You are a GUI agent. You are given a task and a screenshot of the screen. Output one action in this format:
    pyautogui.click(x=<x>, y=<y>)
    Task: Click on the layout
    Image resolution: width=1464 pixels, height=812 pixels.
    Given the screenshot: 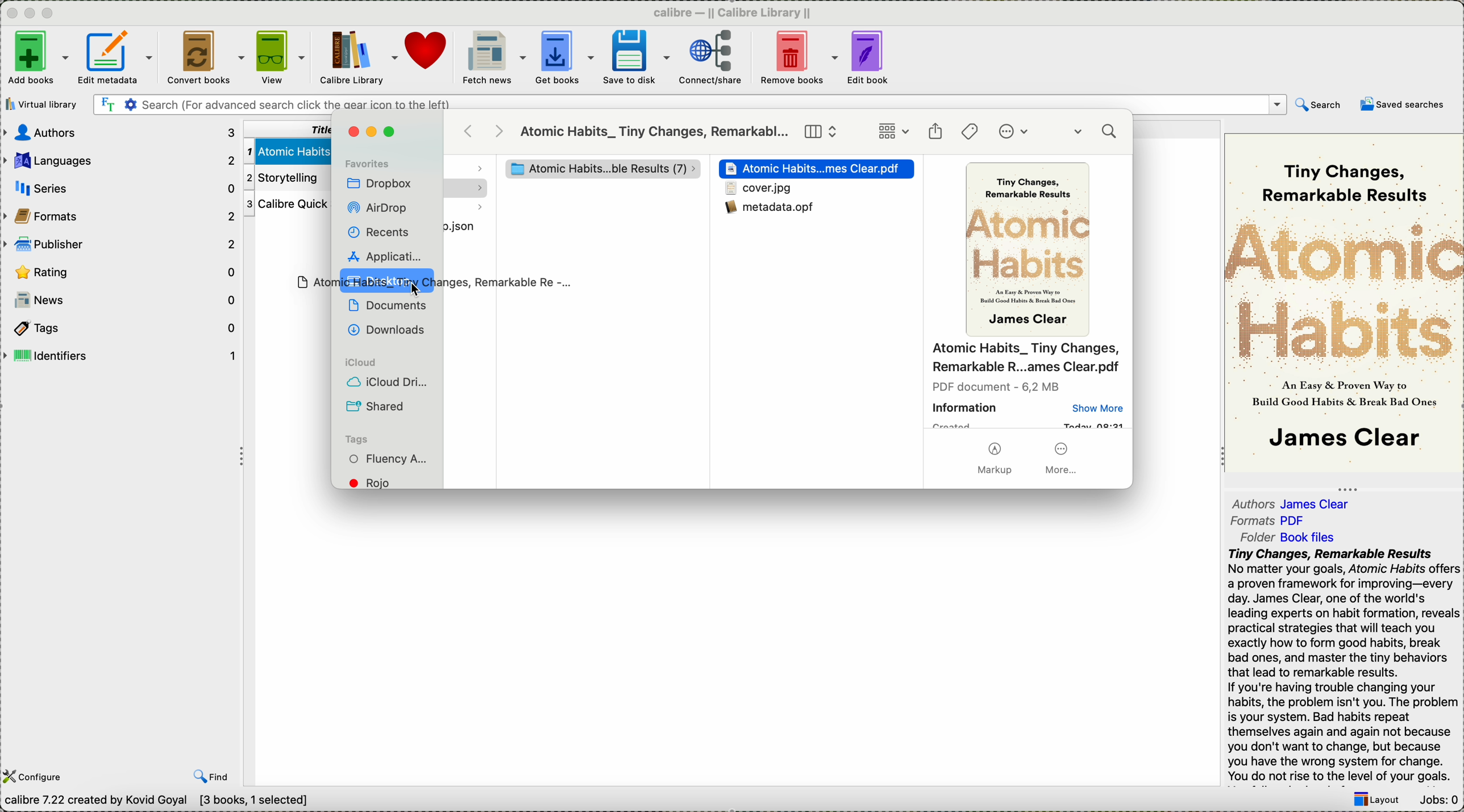 What is the action you would take?
    pyautogui.click(x=1375, y=801)
    